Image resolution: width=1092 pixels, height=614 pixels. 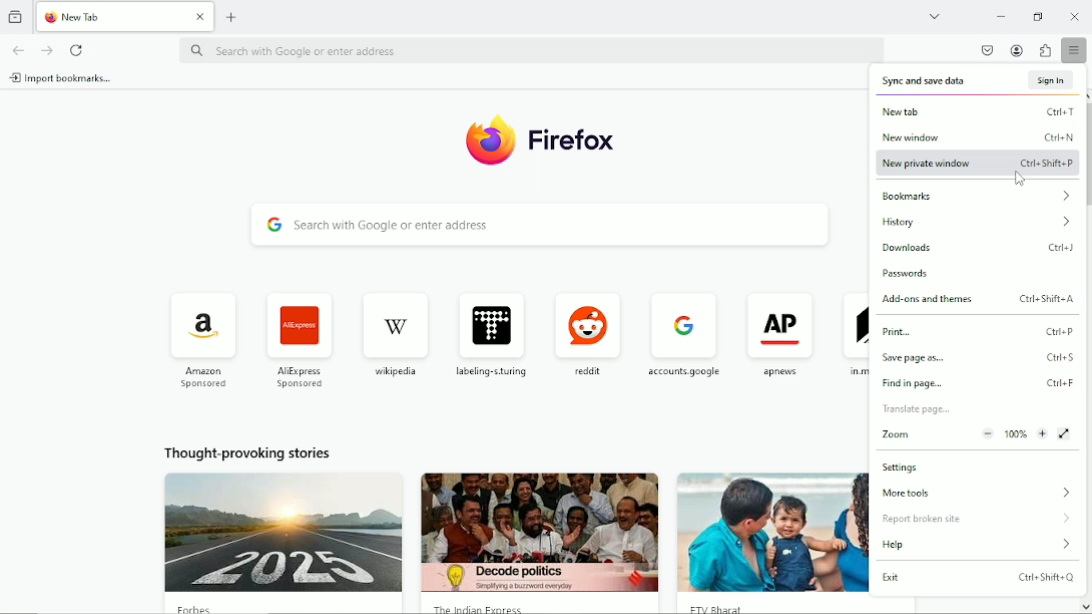 What do you see at coordinates (491, 336) in the screenshot?
I see `labeling turing` at bounding box center [491, 336].